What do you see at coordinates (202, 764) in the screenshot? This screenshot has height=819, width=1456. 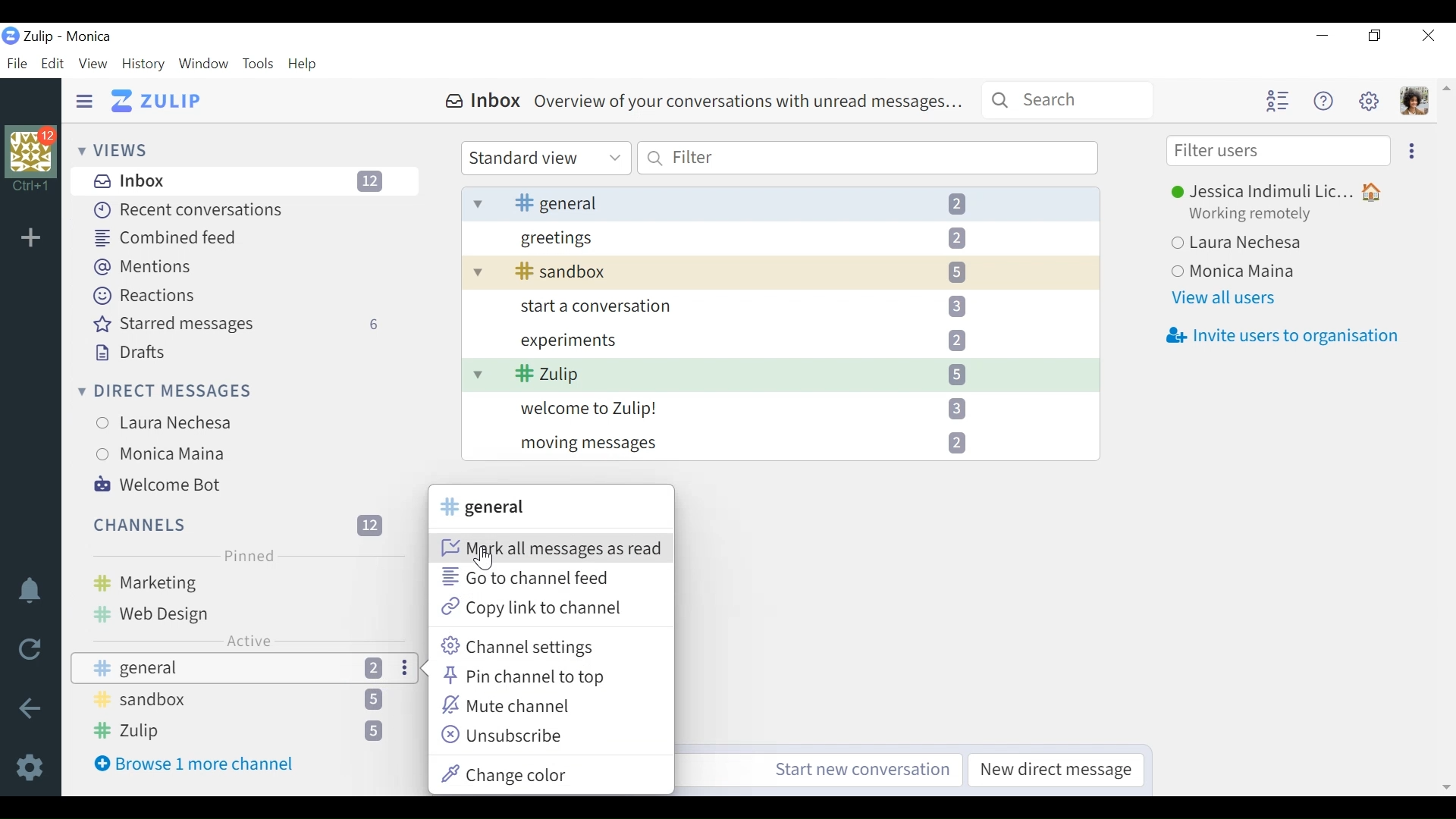 I see `Browse 1 more channel` at bounding box center [202, 764].